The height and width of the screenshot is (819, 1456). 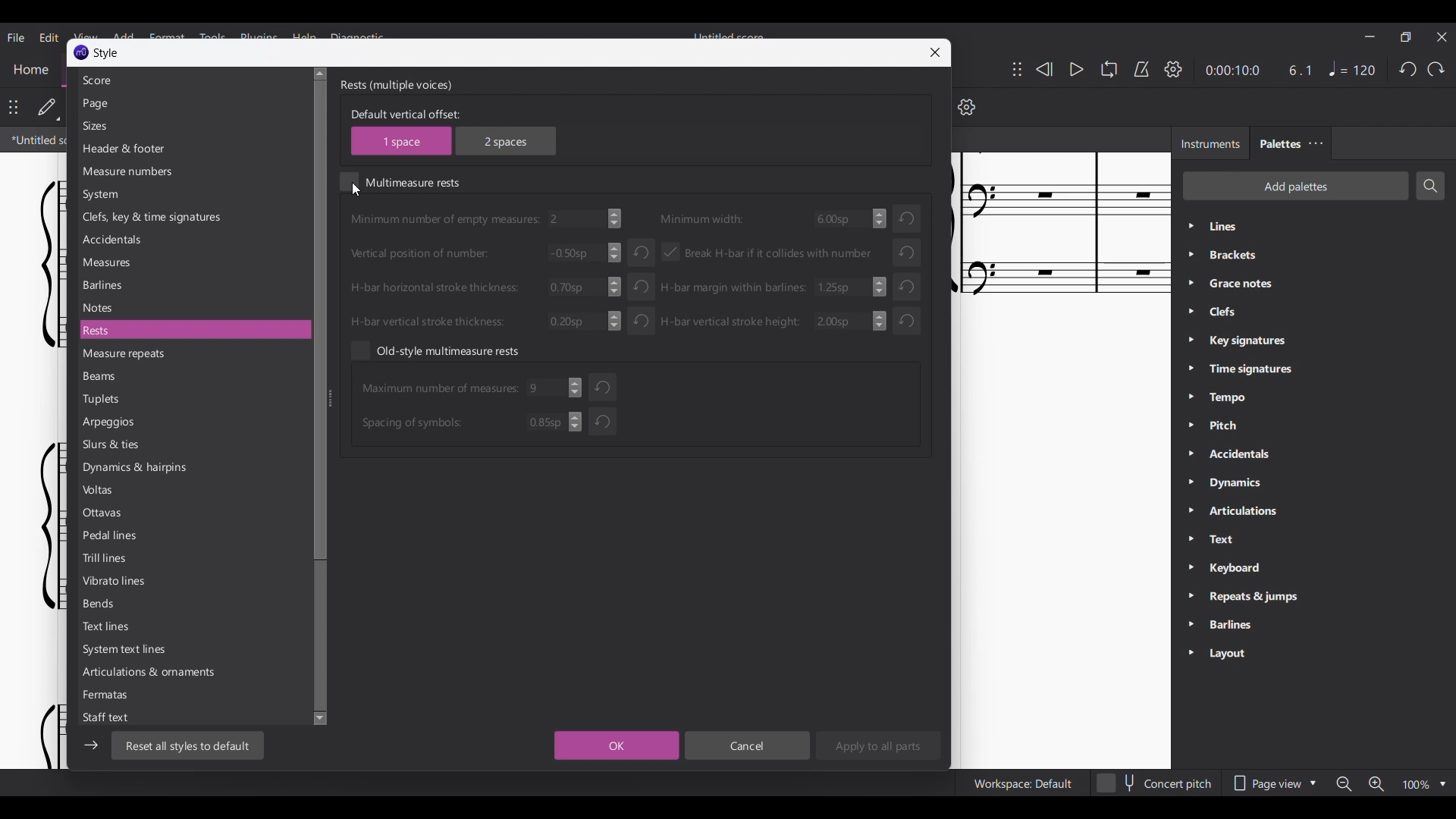 I want to click on Redo, so click(x=1436, y=70).